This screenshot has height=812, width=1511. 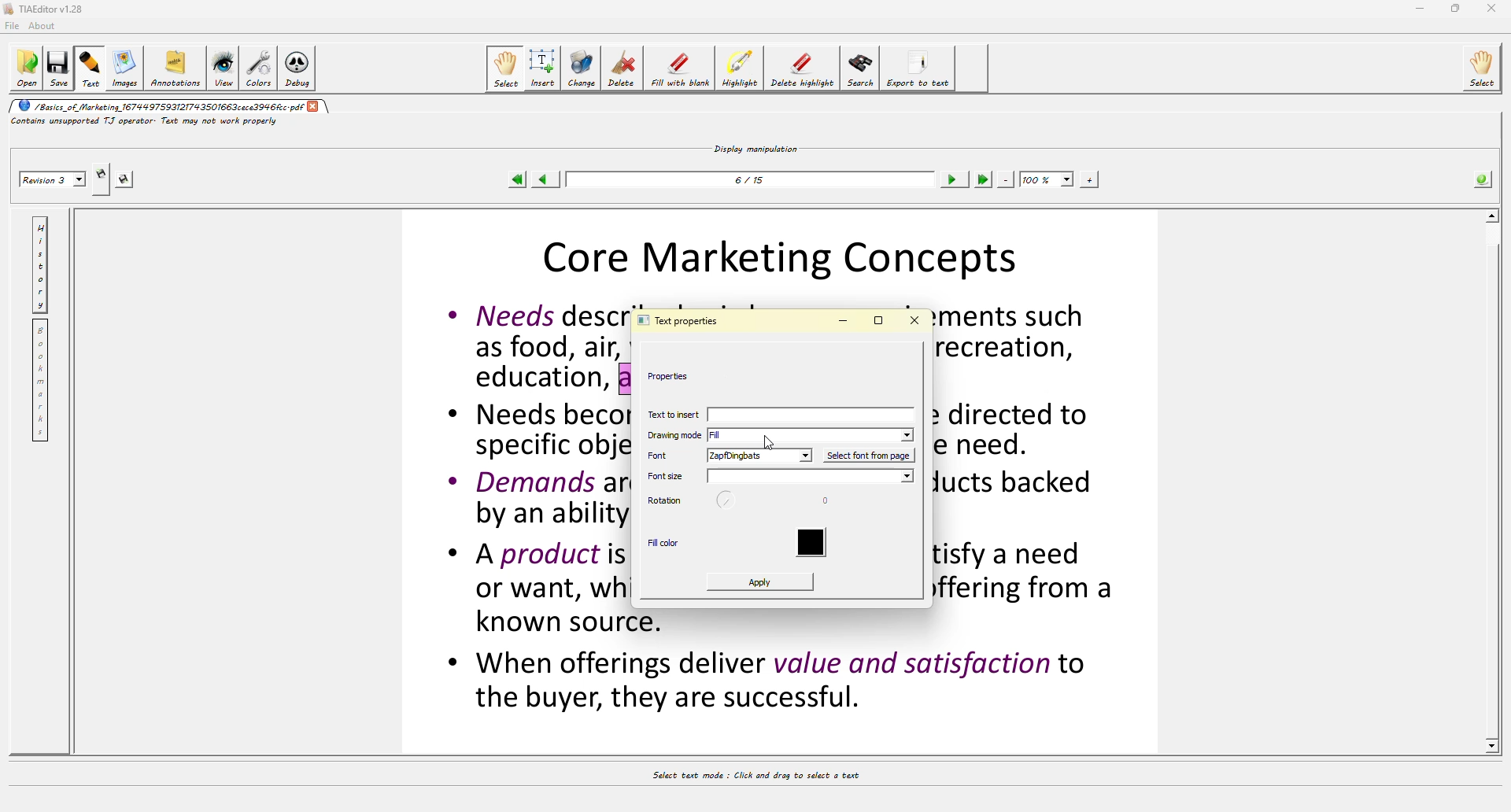 I want to click on properties, so click(x=675, y=376).